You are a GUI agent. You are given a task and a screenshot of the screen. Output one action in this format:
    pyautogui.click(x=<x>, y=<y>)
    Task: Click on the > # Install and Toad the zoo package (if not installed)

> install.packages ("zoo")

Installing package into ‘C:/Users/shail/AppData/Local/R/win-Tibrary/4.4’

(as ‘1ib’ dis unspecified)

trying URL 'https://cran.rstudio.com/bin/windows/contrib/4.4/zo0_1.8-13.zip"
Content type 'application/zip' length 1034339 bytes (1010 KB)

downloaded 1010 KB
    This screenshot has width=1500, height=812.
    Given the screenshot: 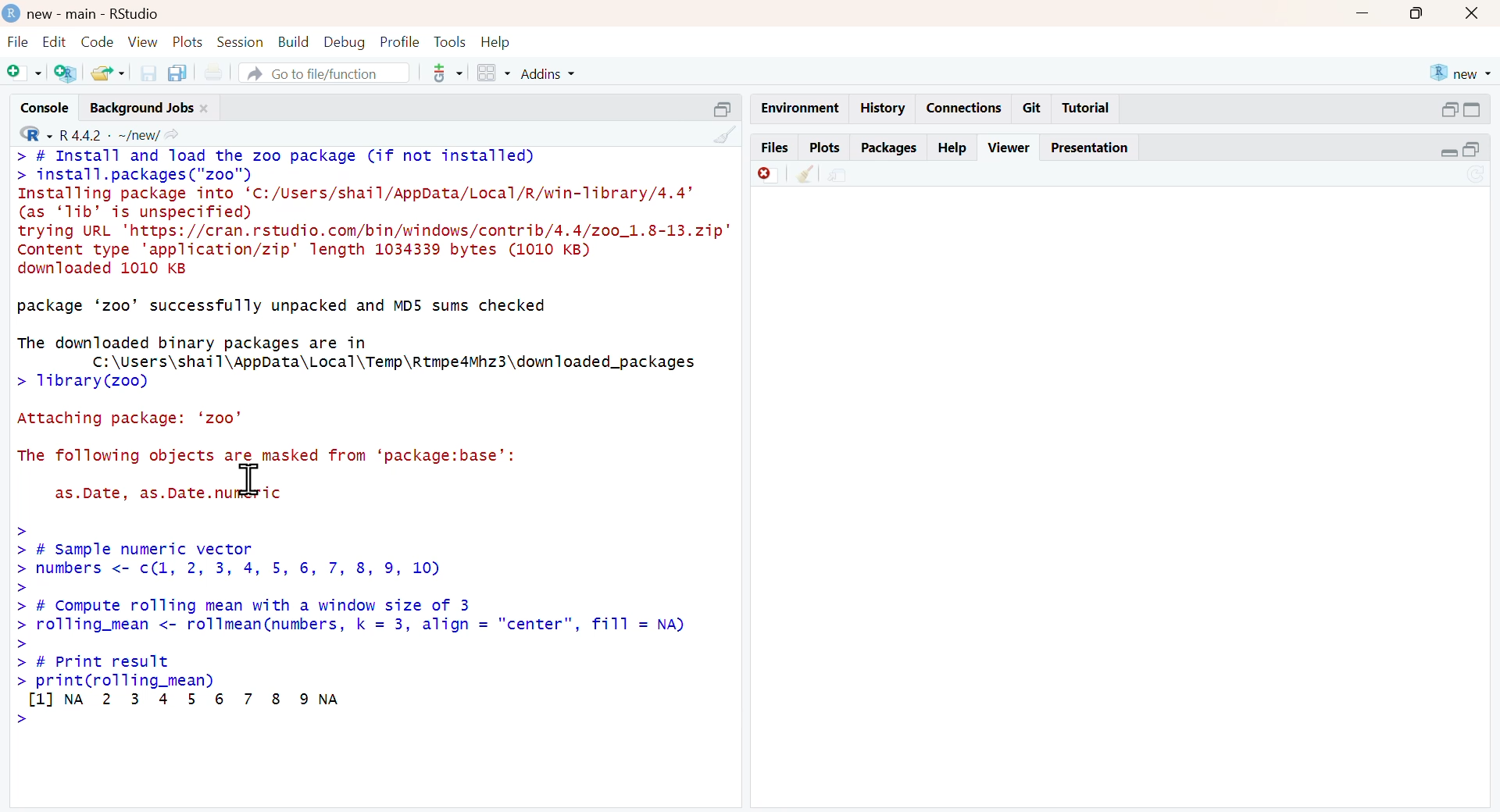 What is the action you would take?
    pyautogui.click(x=374, y=213)
    